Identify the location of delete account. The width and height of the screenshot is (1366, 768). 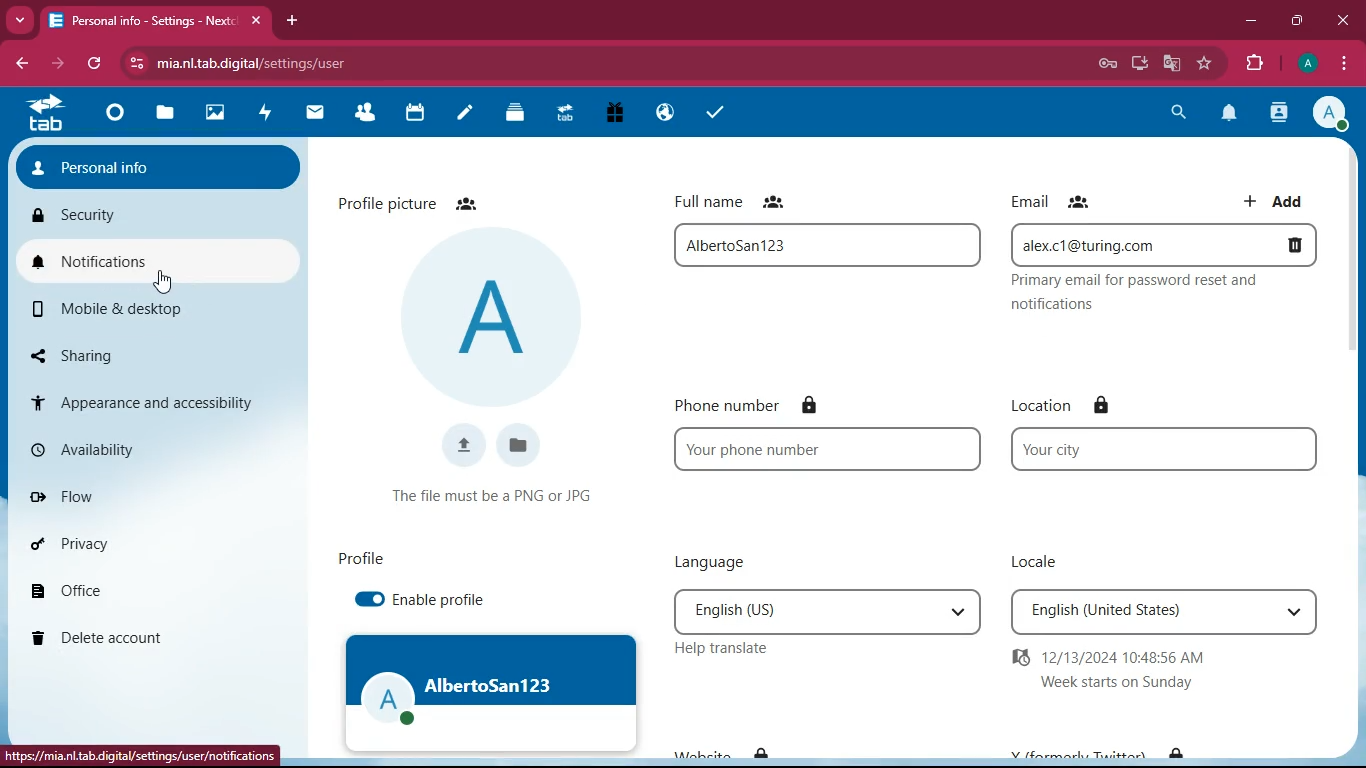
(151, 637).